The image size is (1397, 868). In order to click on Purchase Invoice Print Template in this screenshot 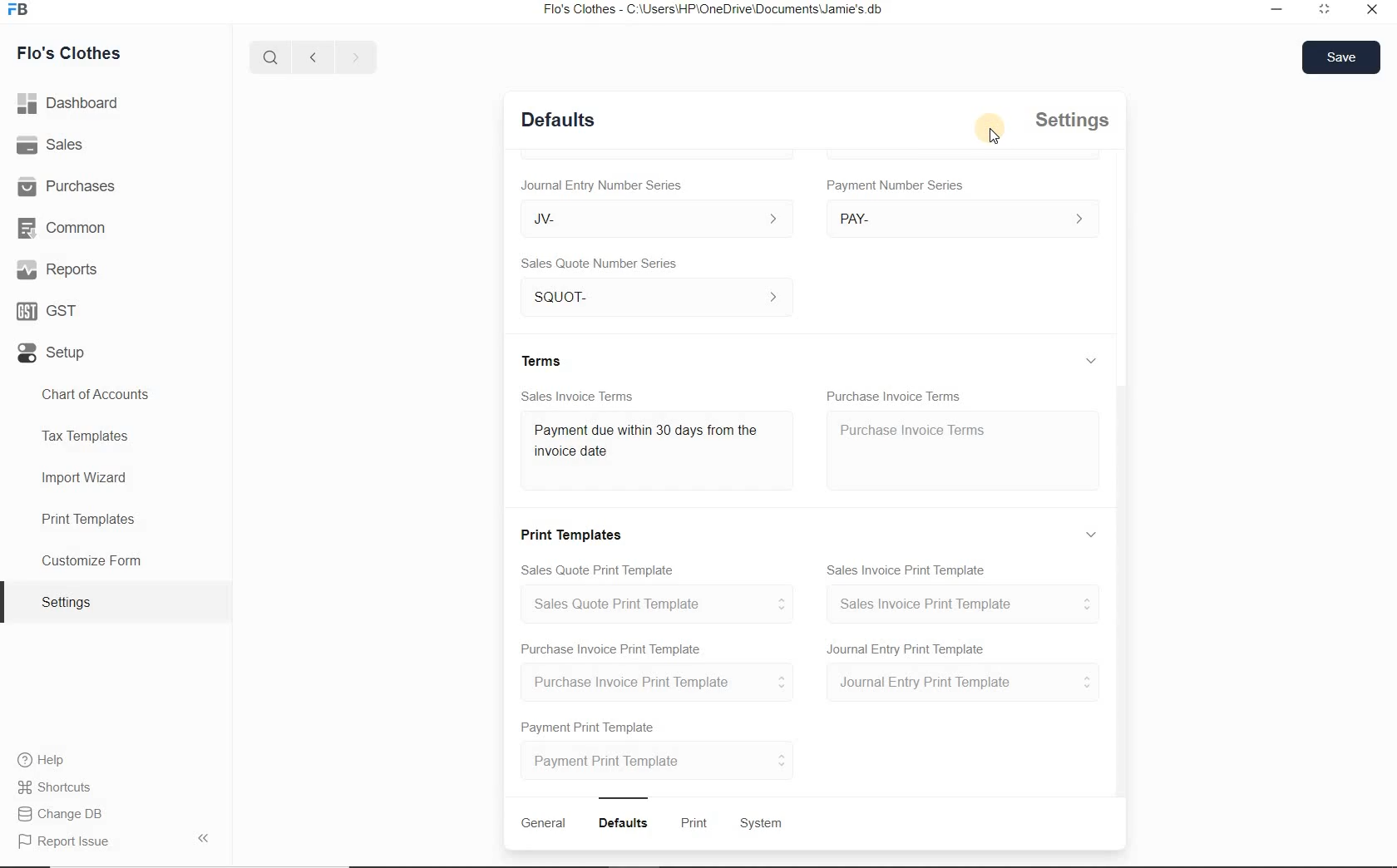, I will do `click(656, 681)`.